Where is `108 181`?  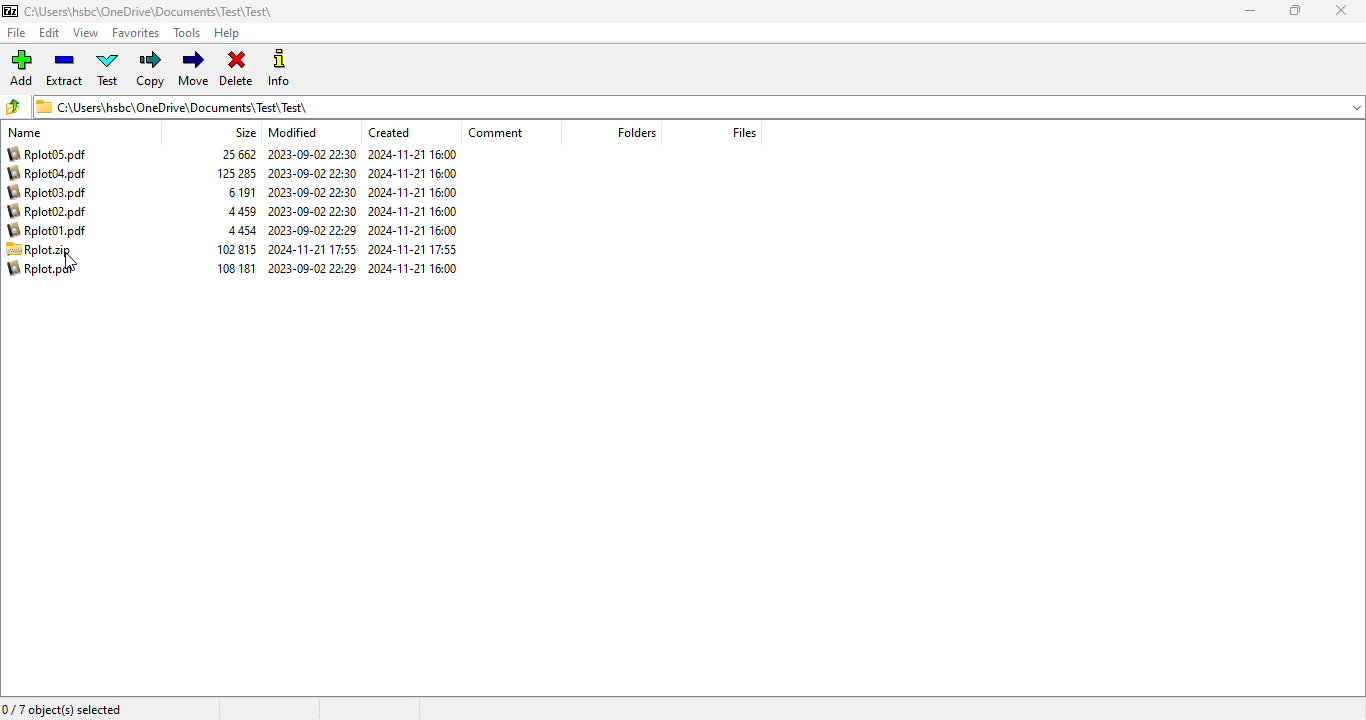
108 181 is located at coordinates (238, 268).